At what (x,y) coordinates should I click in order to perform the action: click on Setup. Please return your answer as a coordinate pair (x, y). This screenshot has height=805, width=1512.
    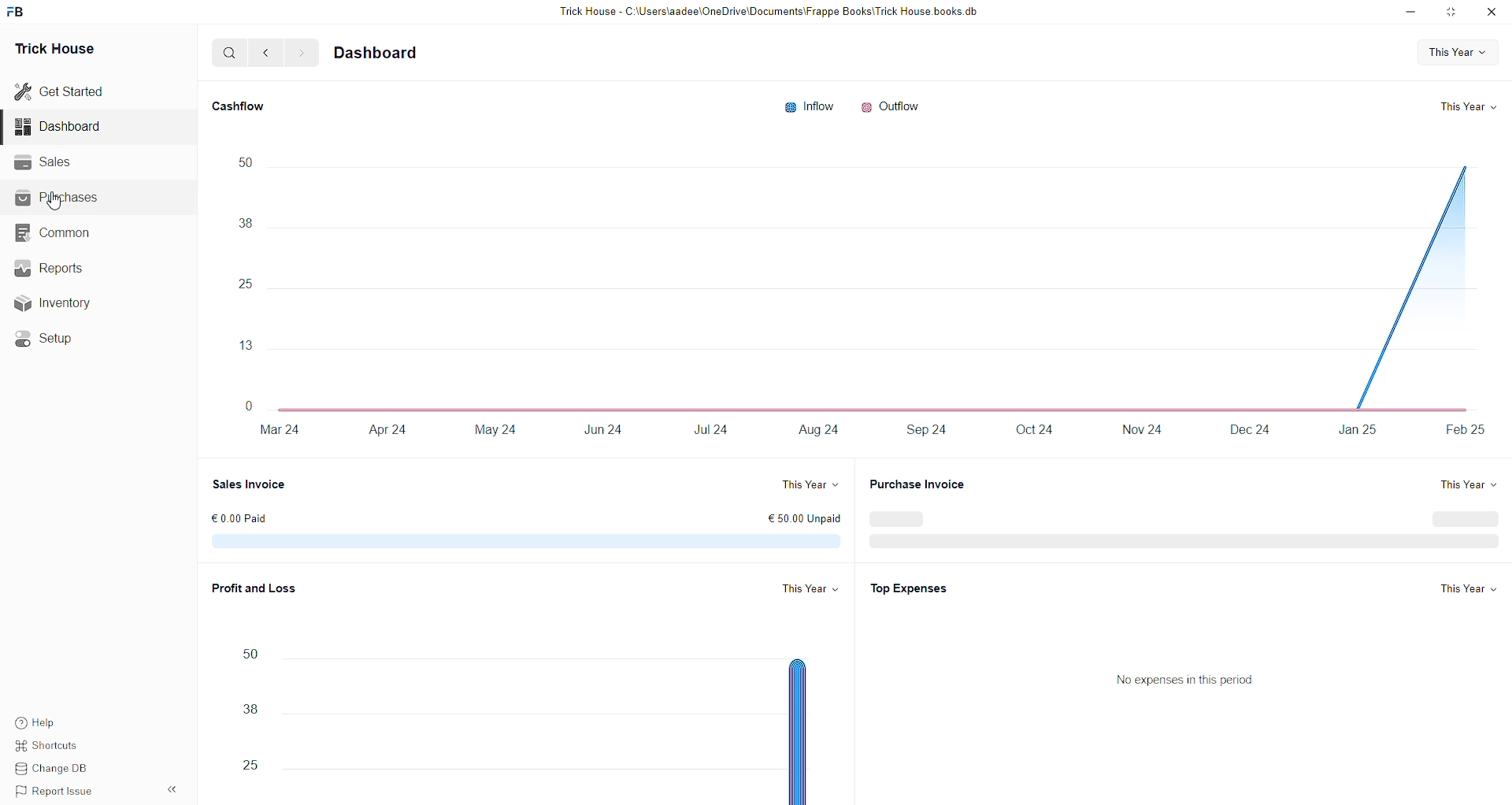
    Looking at the image, I should click on (45, 338).